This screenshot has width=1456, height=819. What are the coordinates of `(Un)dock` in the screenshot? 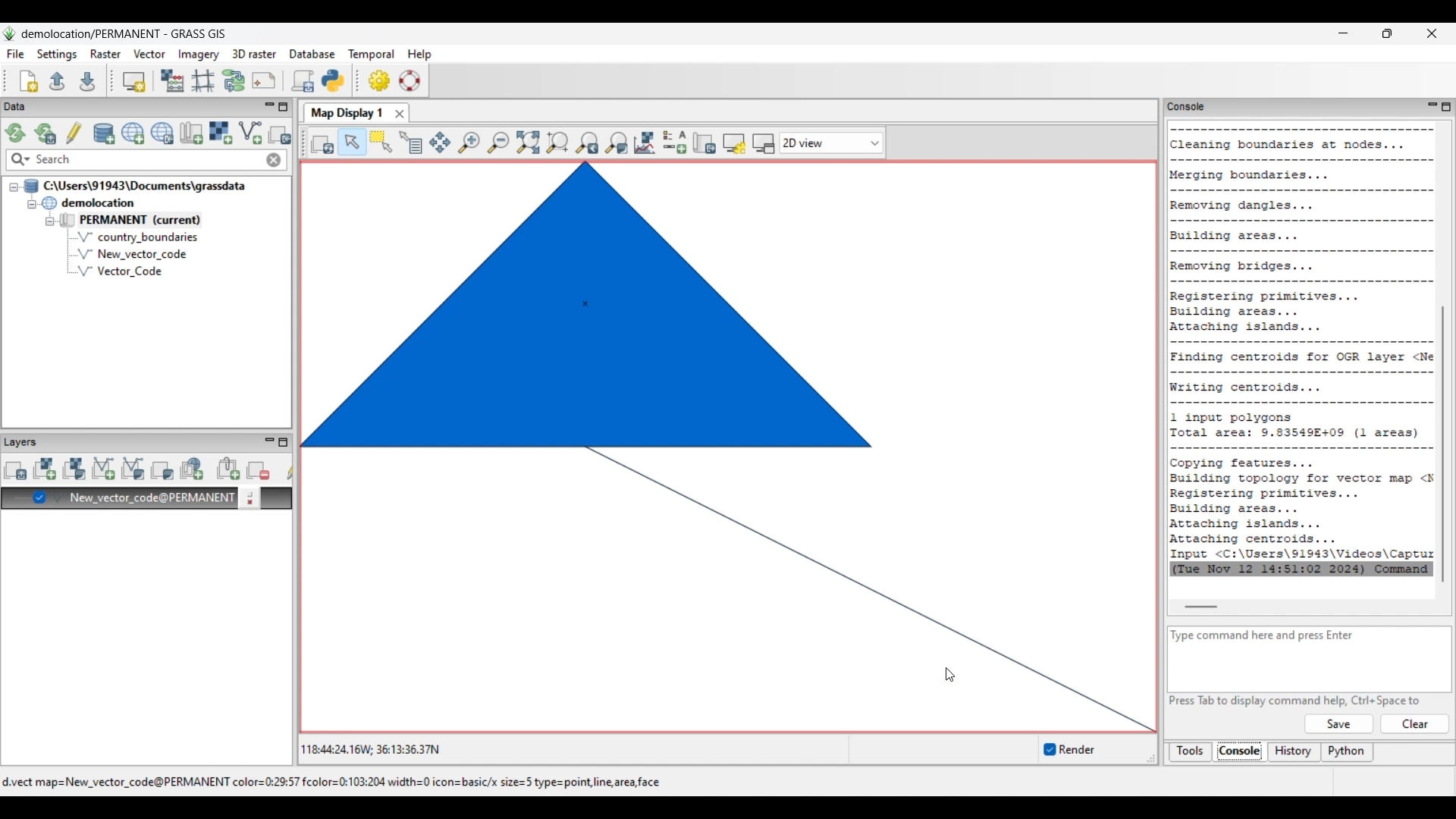 It's located at (764, 144).